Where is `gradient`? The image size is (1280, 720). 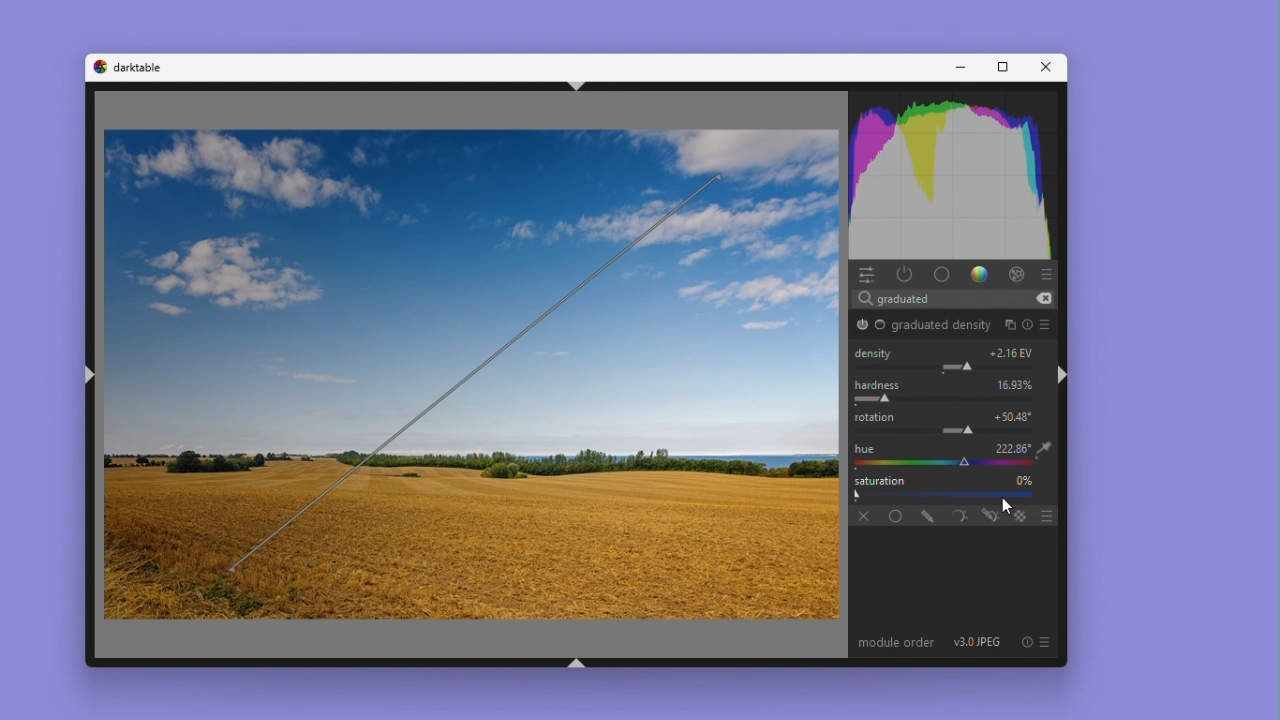
gradient is located at coordinates (977, 273).